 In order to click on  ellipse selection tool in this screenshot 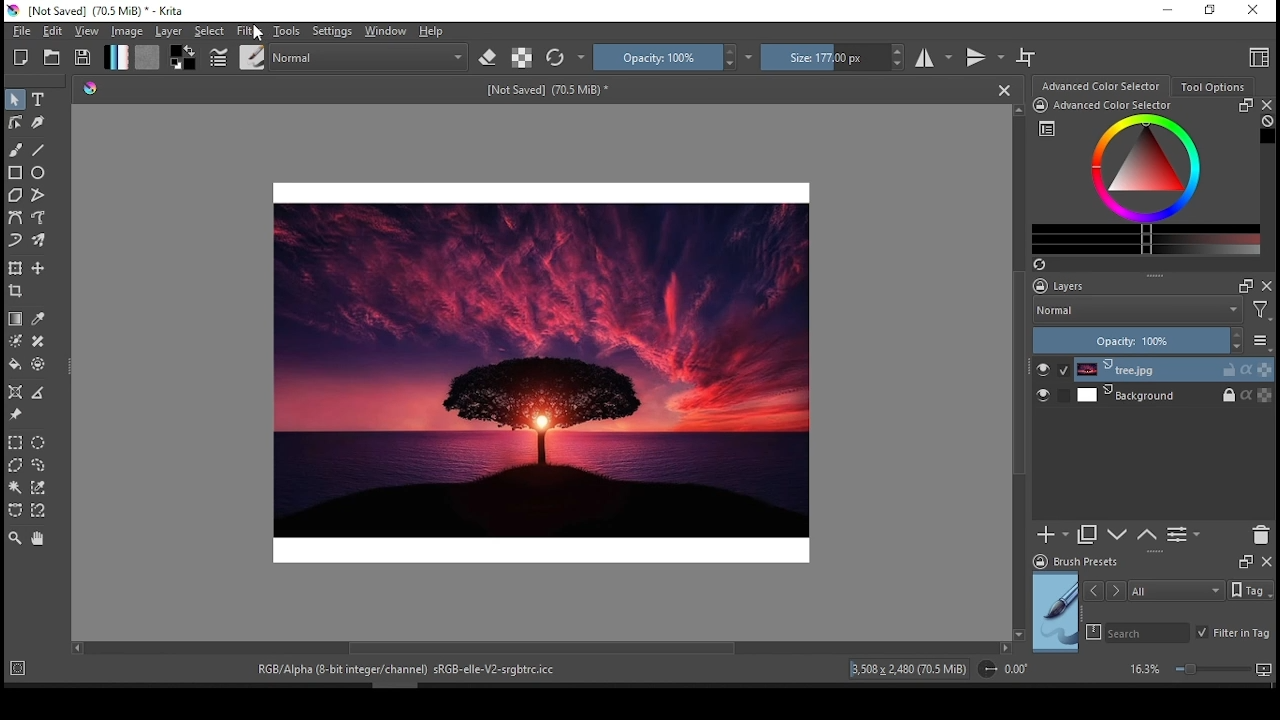, I will do `click(38, 442)`.